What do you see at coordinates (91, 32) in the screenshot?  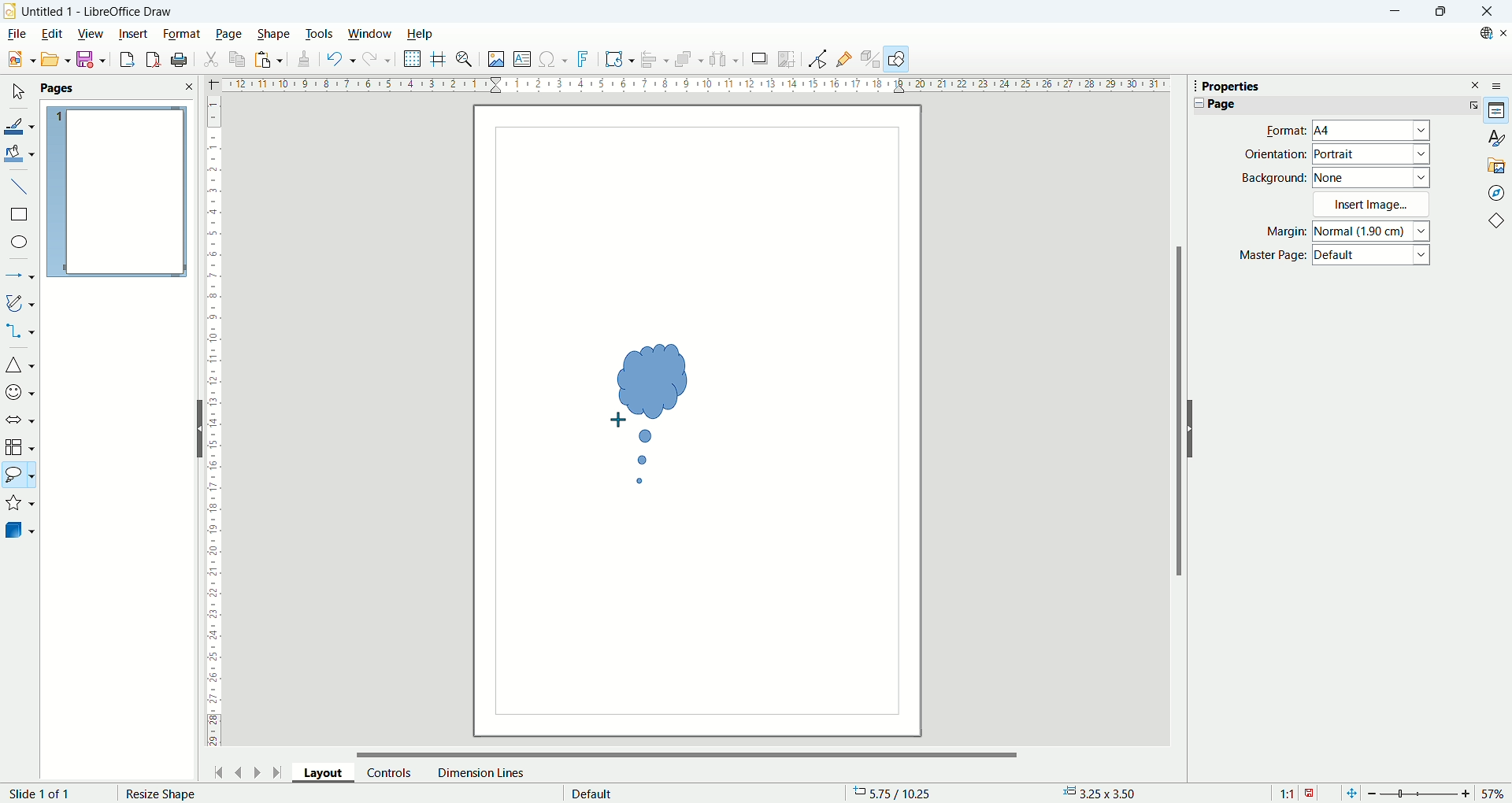 I see `view` at bounding box center [91, 32].